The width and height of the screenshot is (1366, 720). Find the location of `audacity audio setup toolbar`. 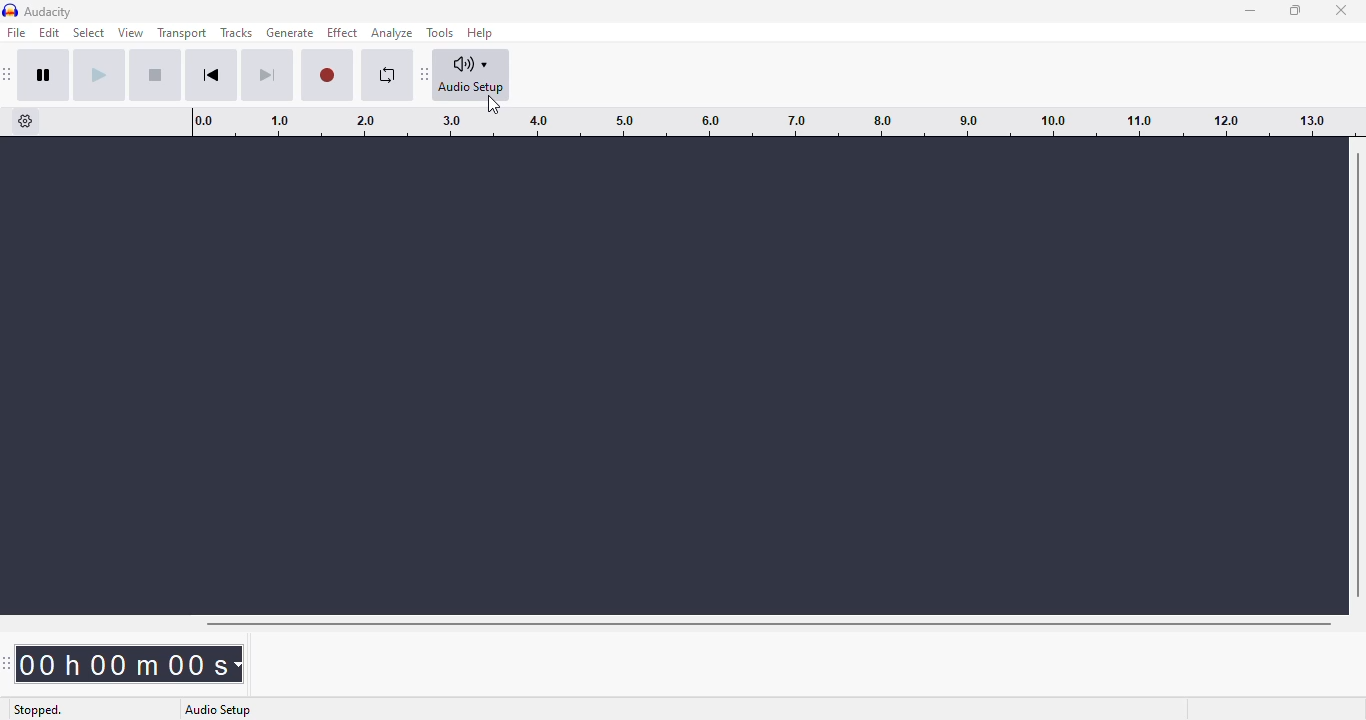

audacity audio setup toolbar is located at coordinates (425, 73).